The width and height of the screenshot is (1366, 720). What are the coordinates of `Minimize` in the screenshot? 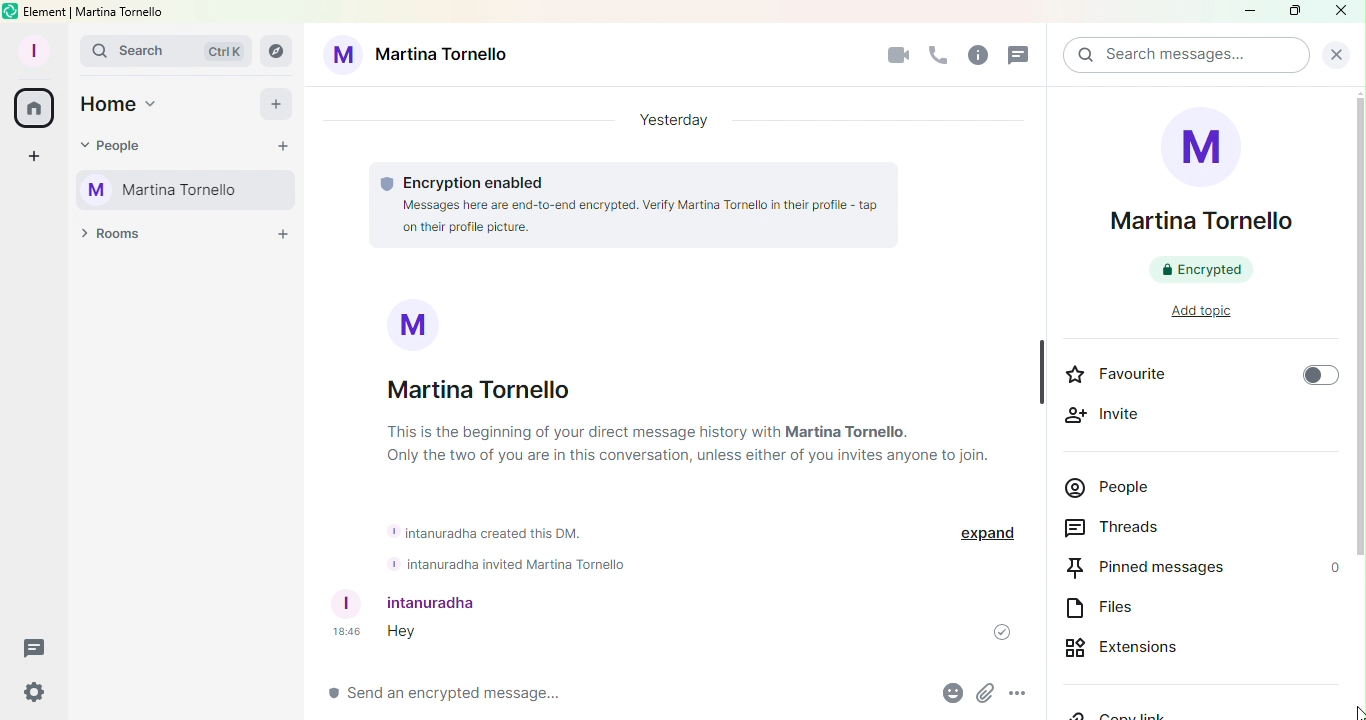 It's located at (1249, 13).